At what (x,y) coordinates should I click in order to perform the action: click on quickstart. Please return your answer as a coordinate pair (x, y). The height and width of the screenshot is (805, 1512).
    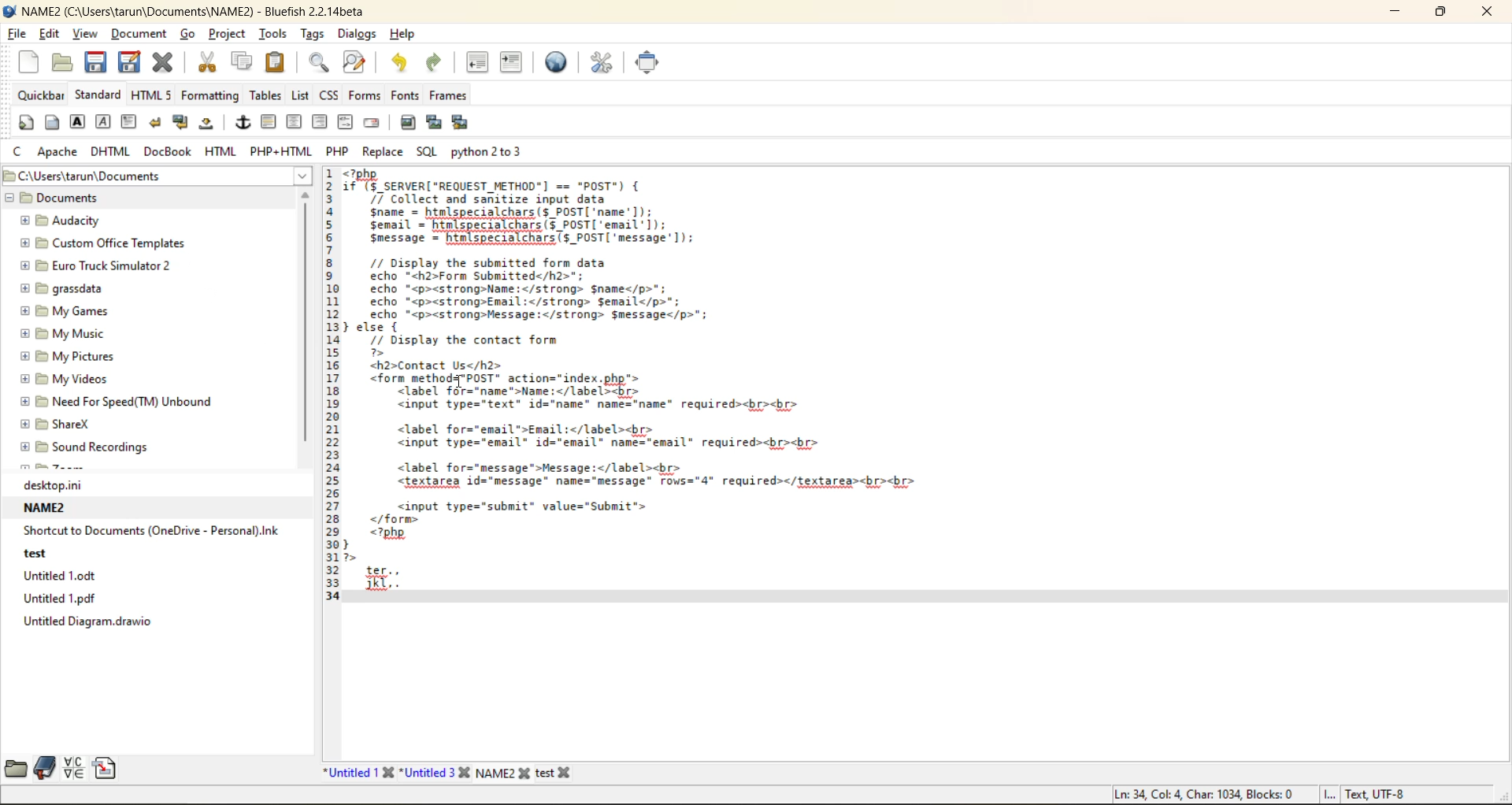
    Looking at the image, I should click on (26, 121).